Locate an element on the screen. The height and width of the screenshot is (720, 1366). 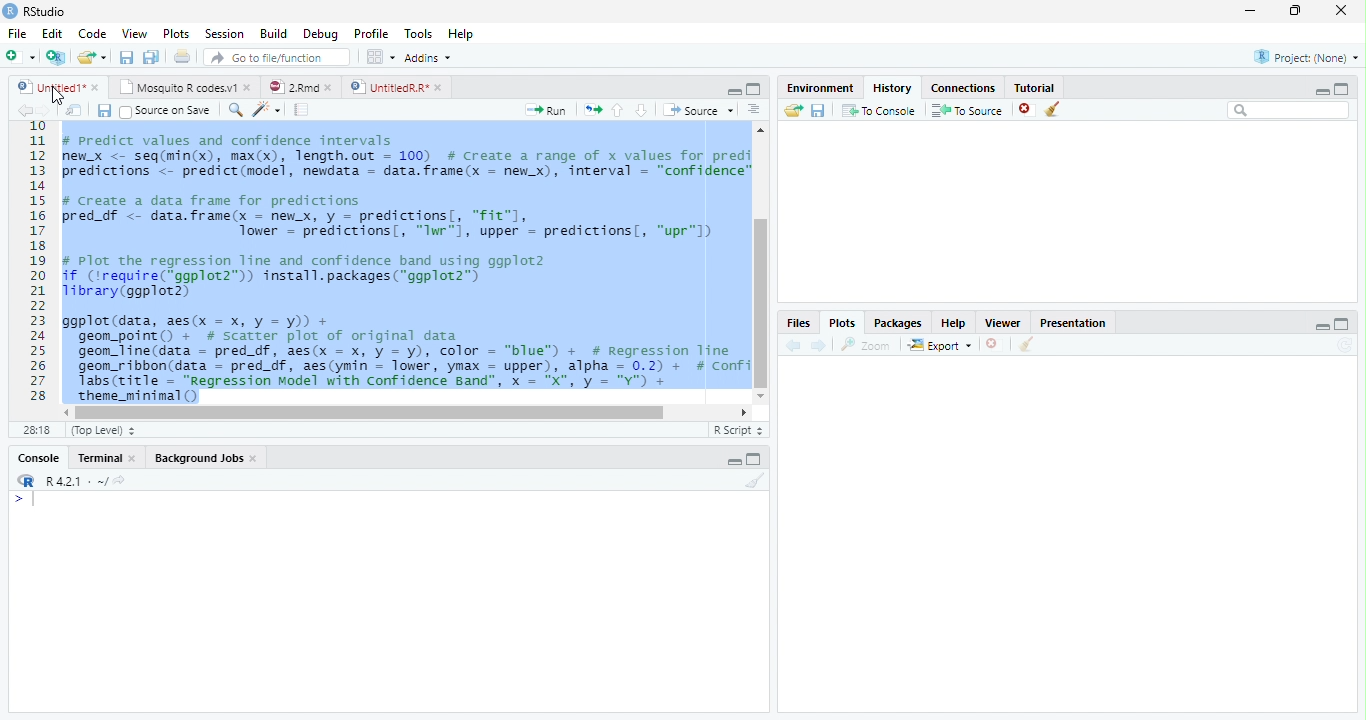
Create a project is located at coordinates (55, 57).